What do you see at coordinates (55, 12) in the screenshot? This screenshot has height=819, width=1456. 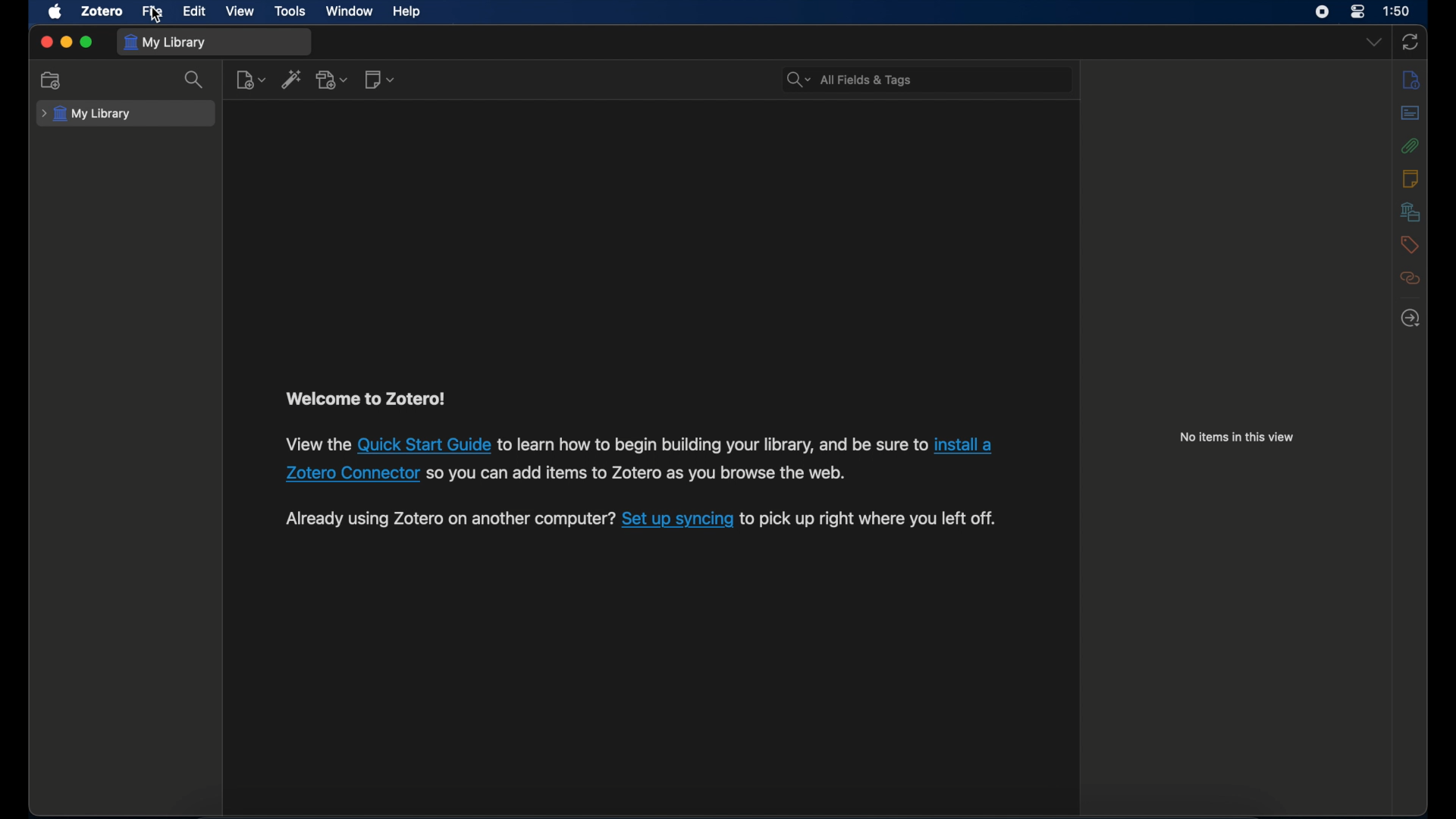 I see `apple ` at bounding box center [55, 12].